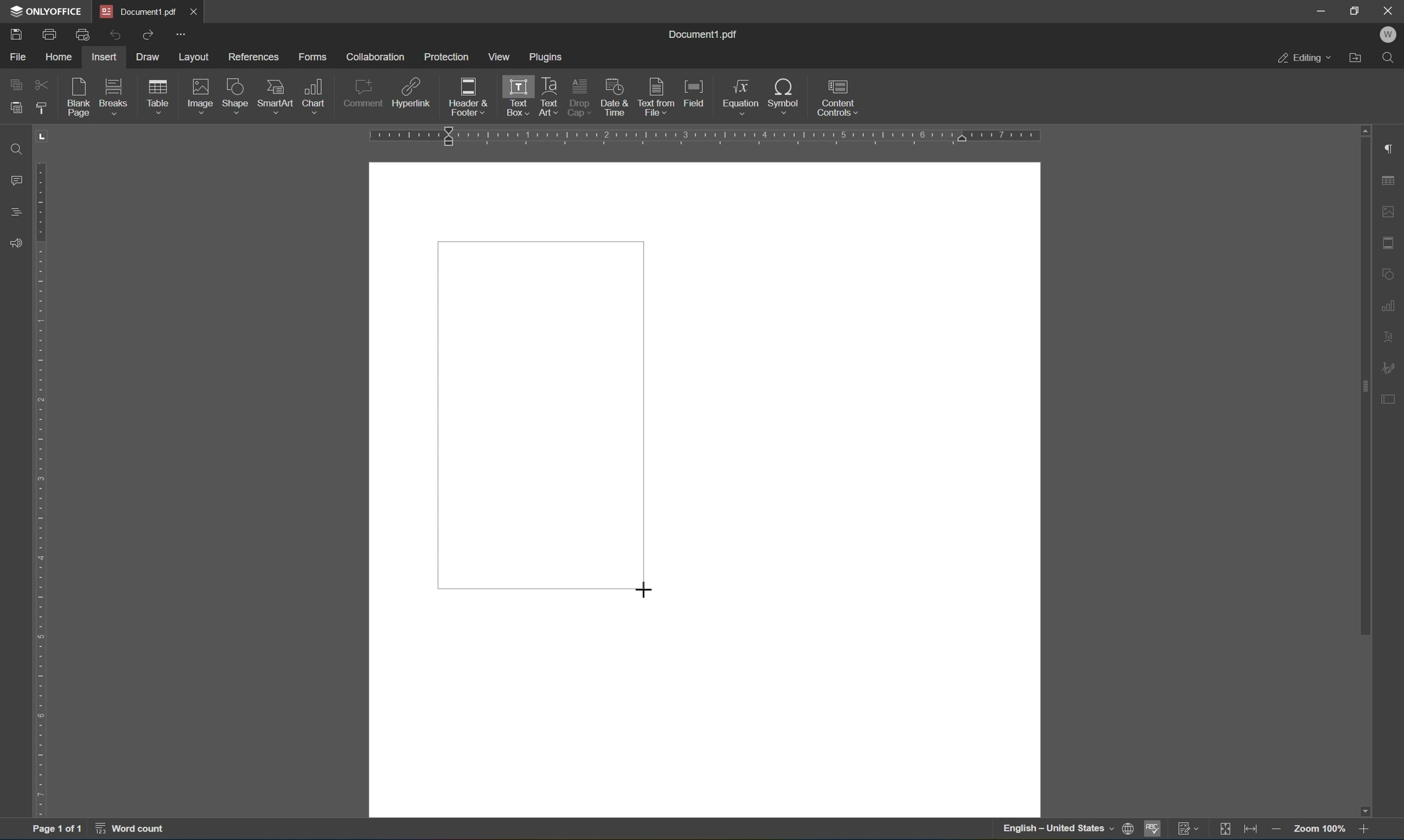 The height and width of the screenshot is (840, 1404). Describe the element at coordinates (1390, 36) in the screenshot. I see `Welcome` at that location.